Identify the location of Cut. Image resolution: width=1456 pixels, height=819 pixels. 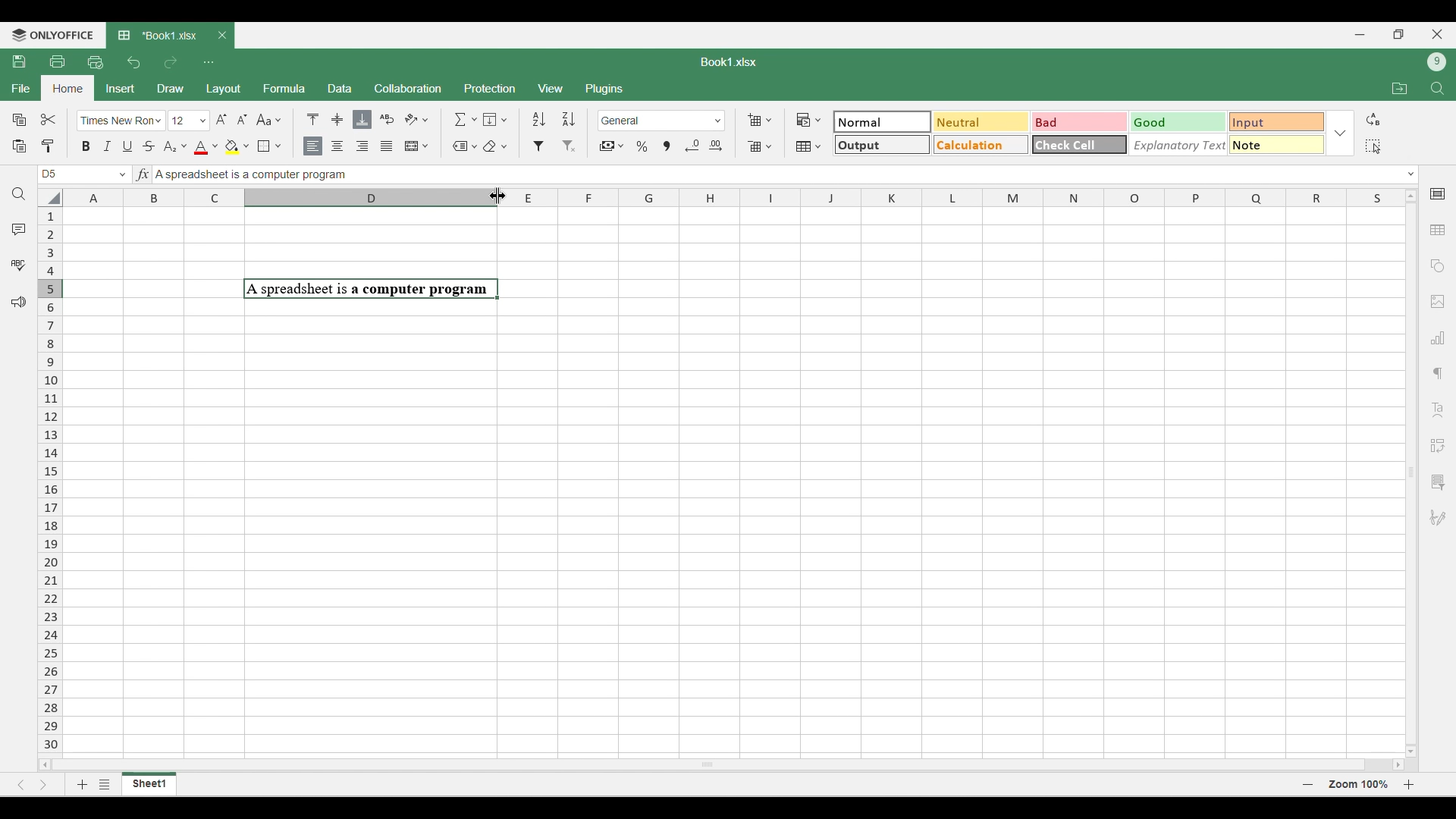
(49, 119).